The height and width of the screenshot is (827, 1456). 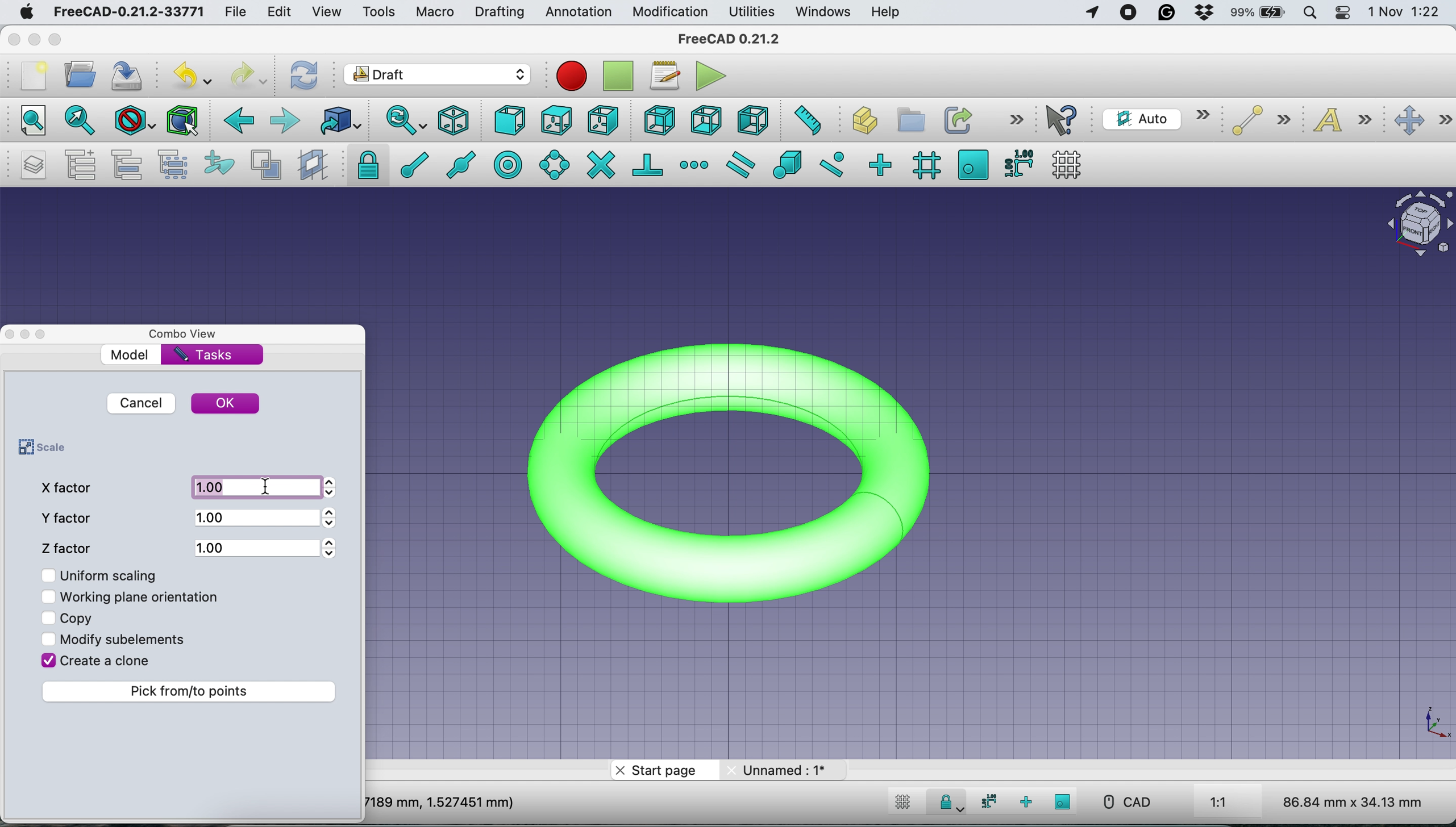 What do you see at coordinates (375, 11) in the screenshot?
I see `tools` at bounding box center [375, 11].